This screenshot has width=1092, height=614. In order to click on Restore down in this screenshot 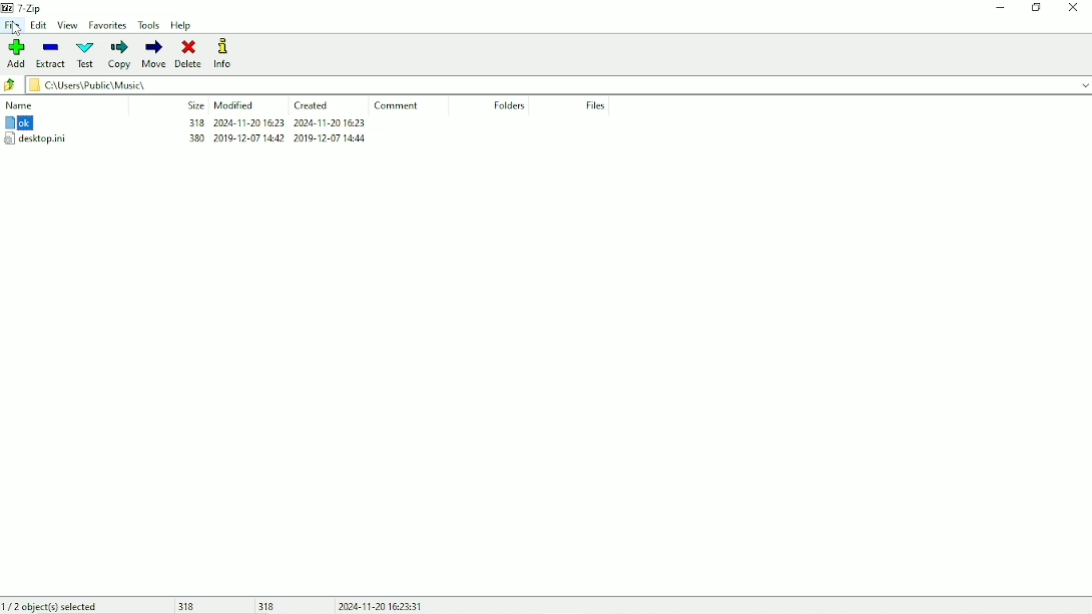, I will do `click(1037, 9)`.